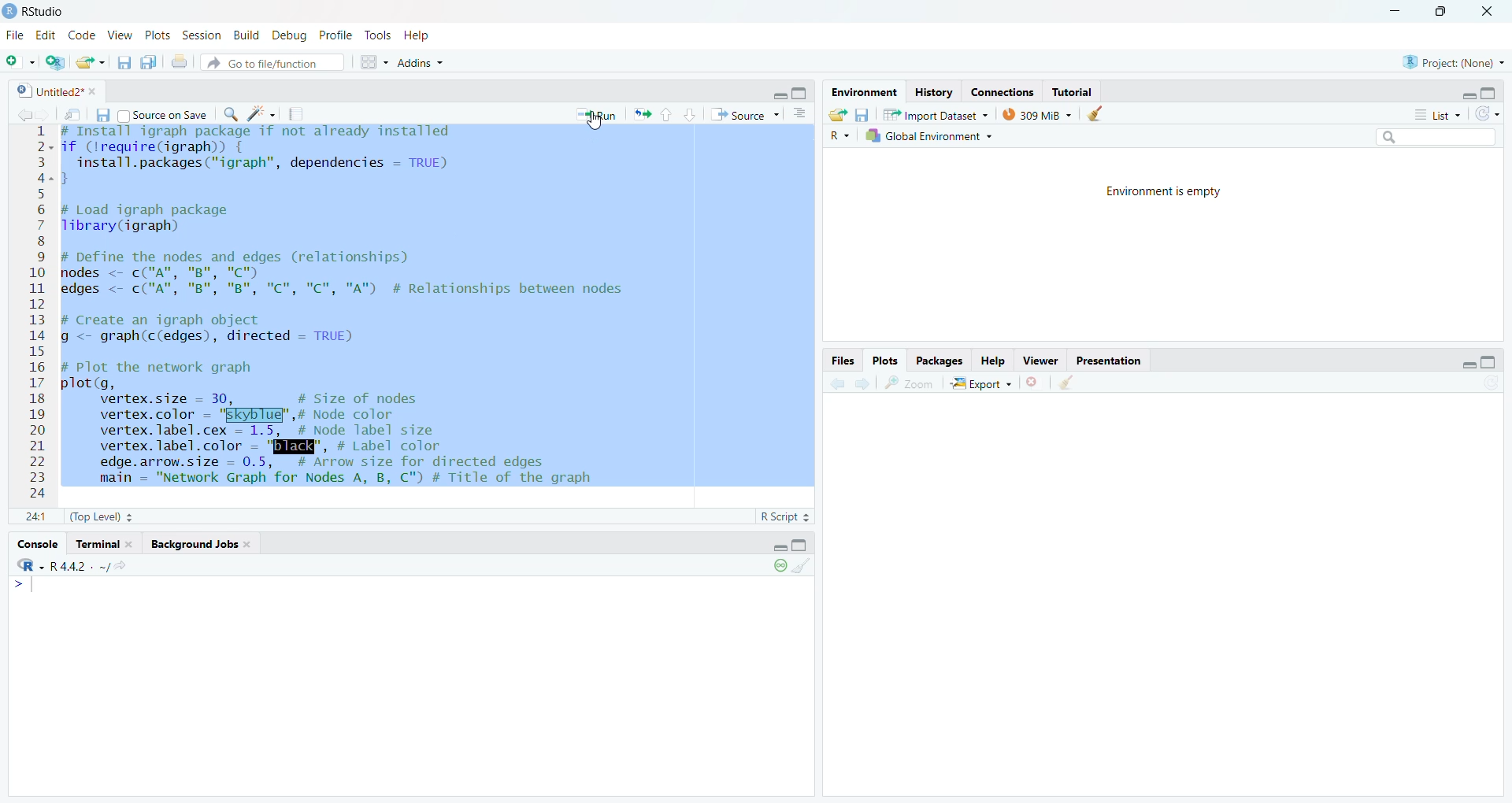  I want to click on 309 MiB ~, so click(1039, 113).